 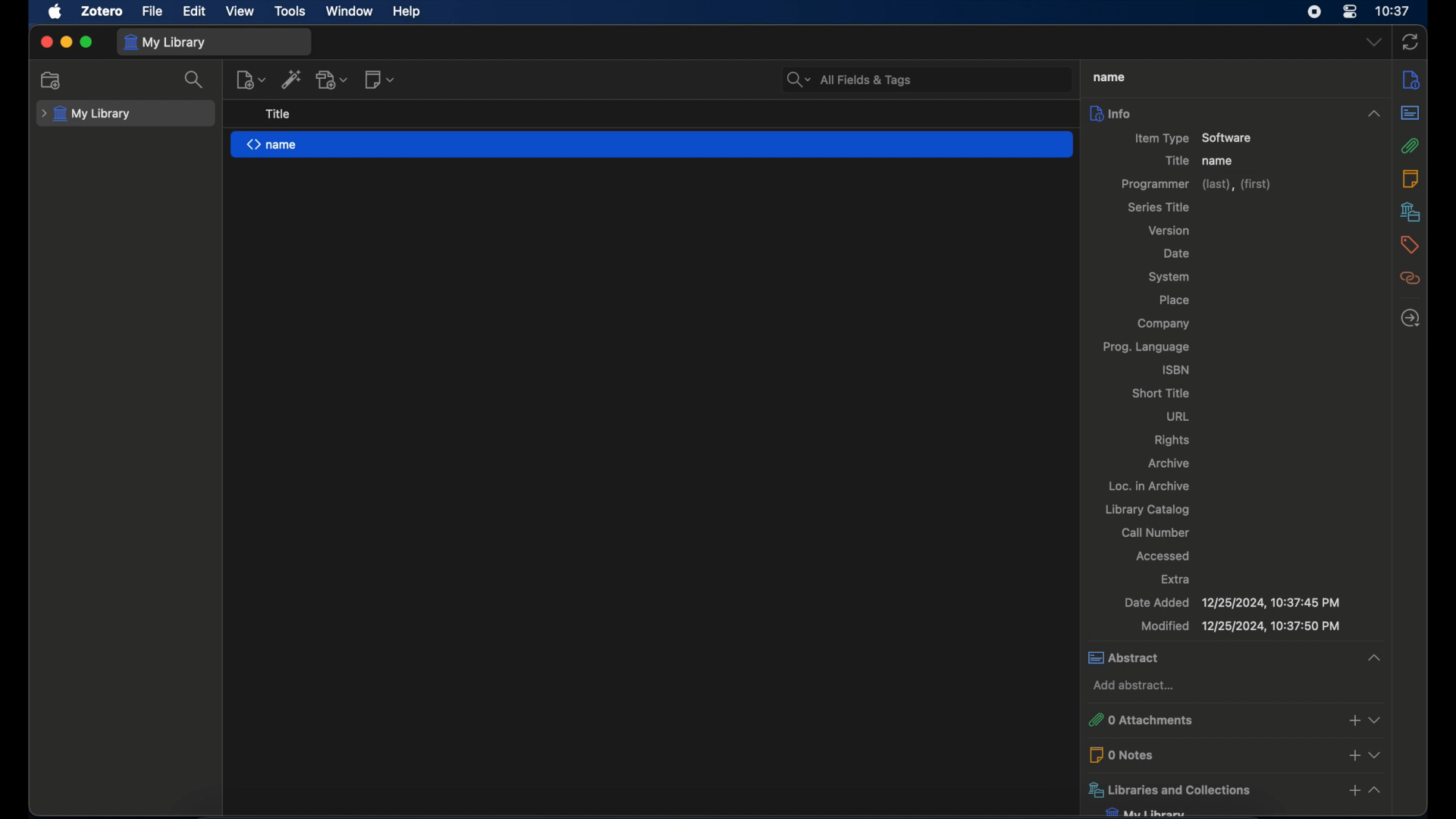 What do you see at coordinates (87, 43) in the screenshot?
I see `maximize` at bounding box center [87, 43].